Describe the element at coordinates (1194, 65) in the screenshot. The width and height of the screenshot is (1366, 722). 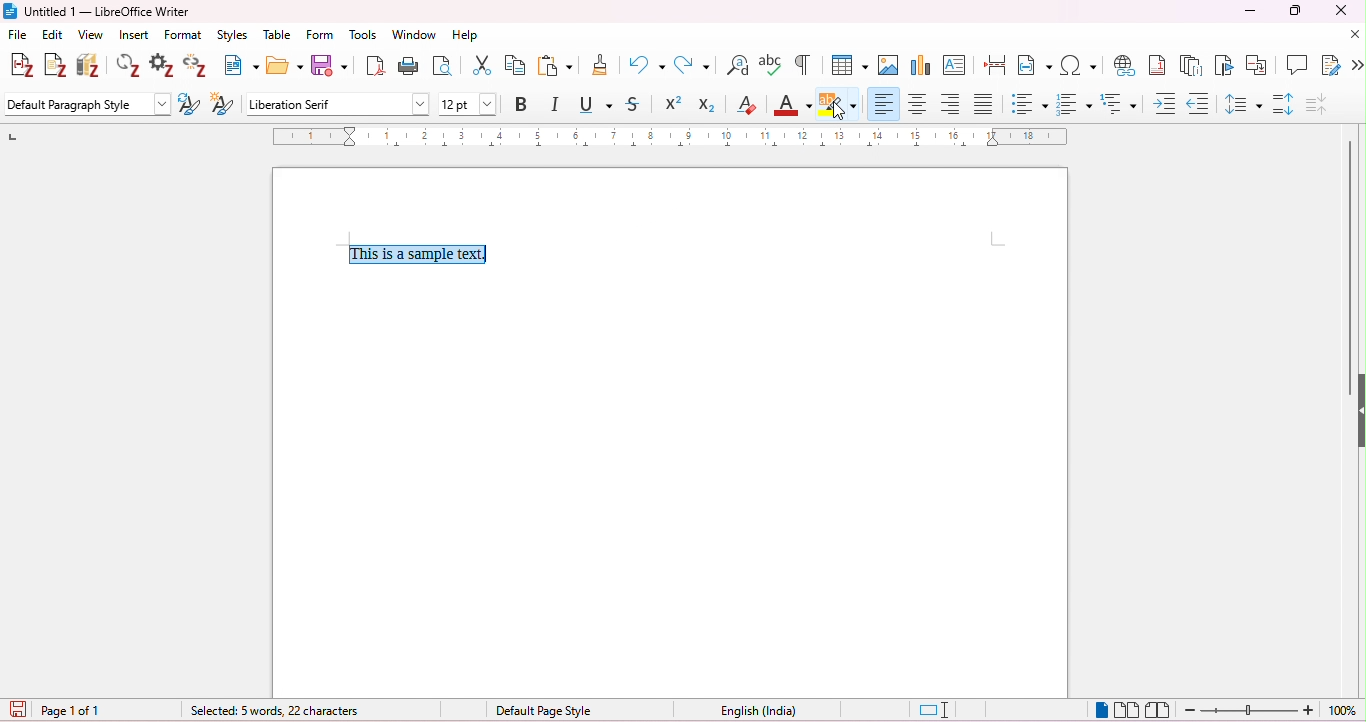
I see `insert end note` at that location.